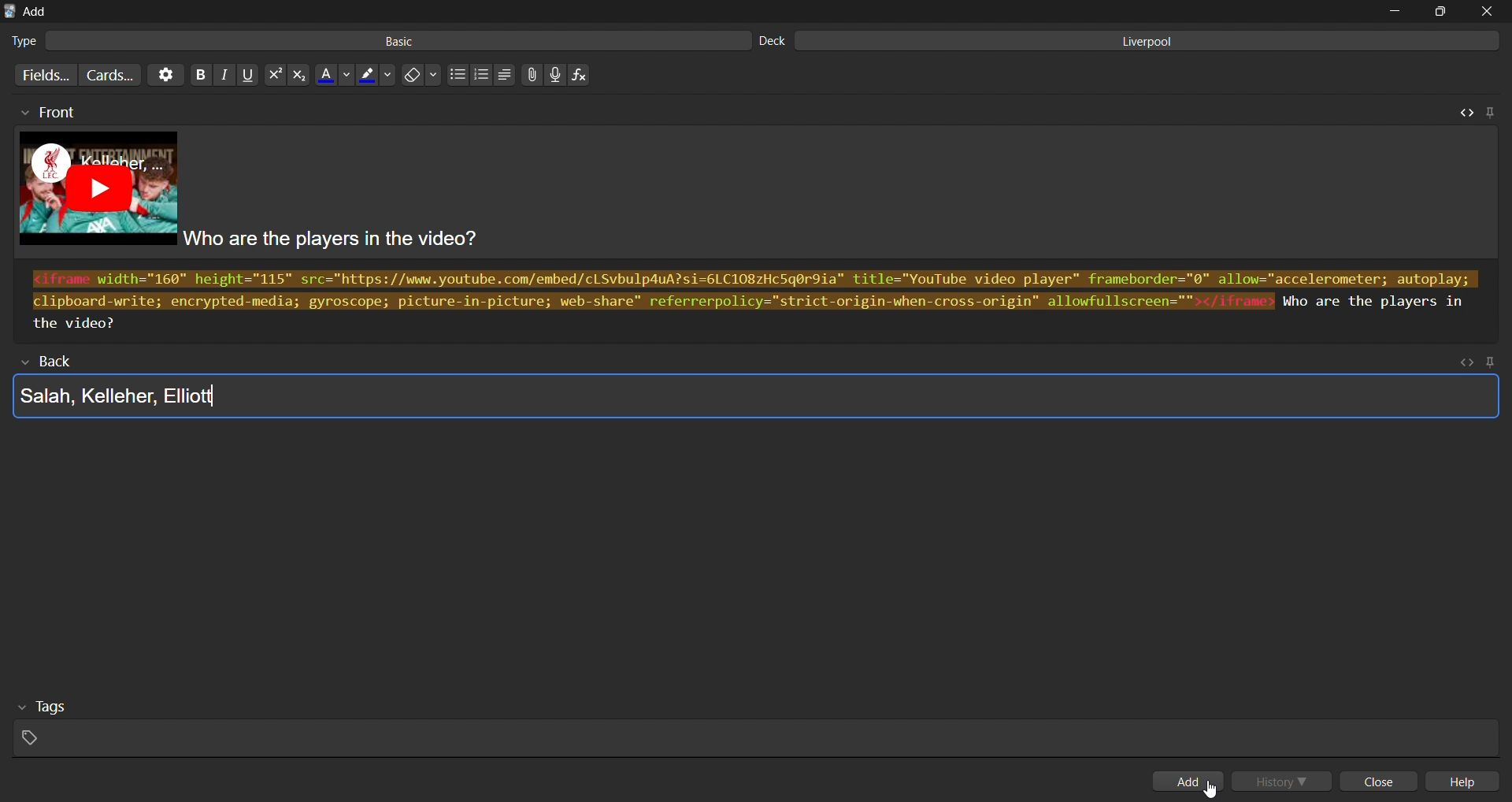  Describe the element at coordinates (164, 75) in the screenshot. I see `options` at that location.